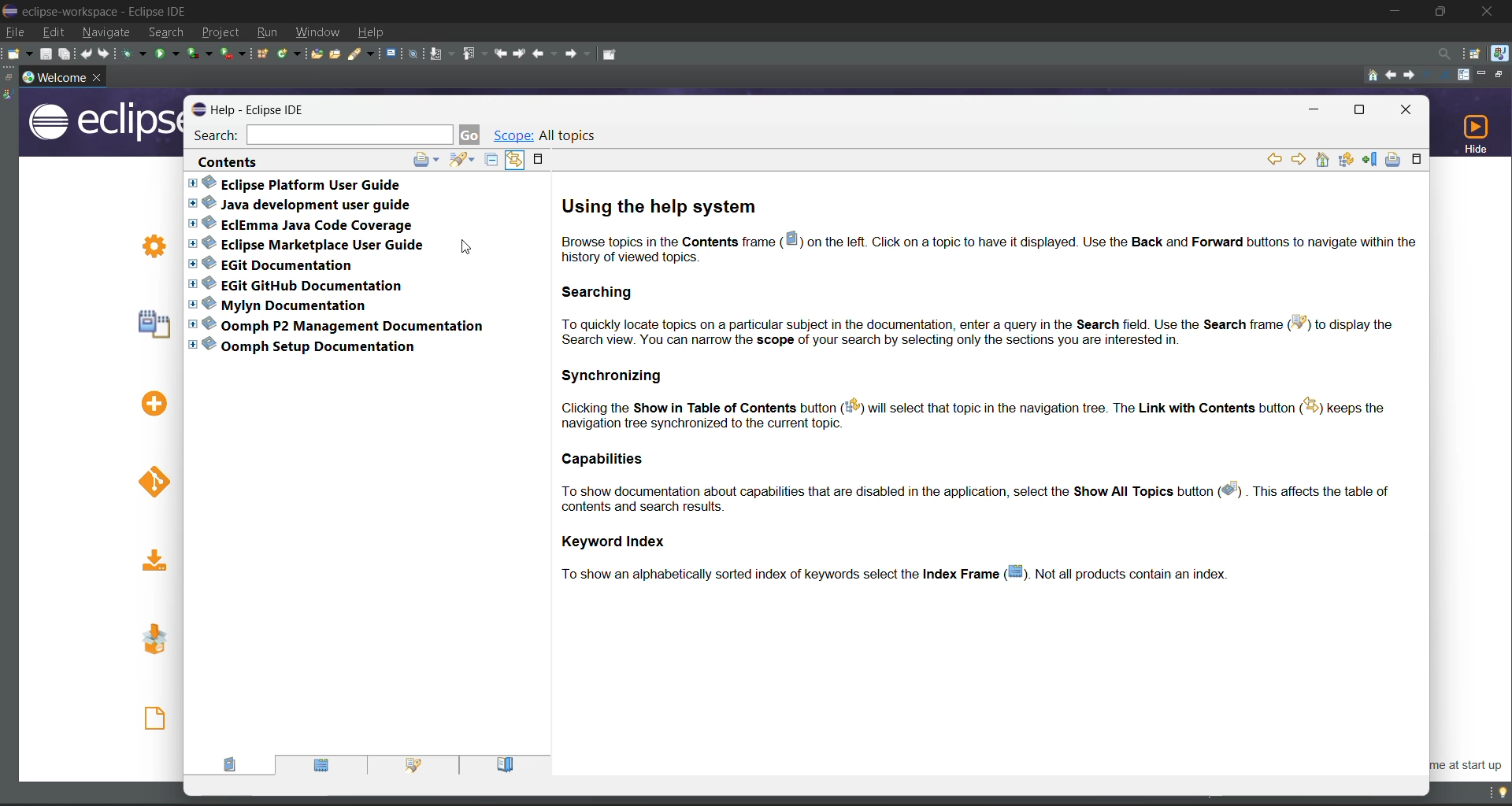 The width and height of the screenshot is (1512, 806). Describe the element at coordinates (573, 136) in the screenshot. I see `all topics` at that location.